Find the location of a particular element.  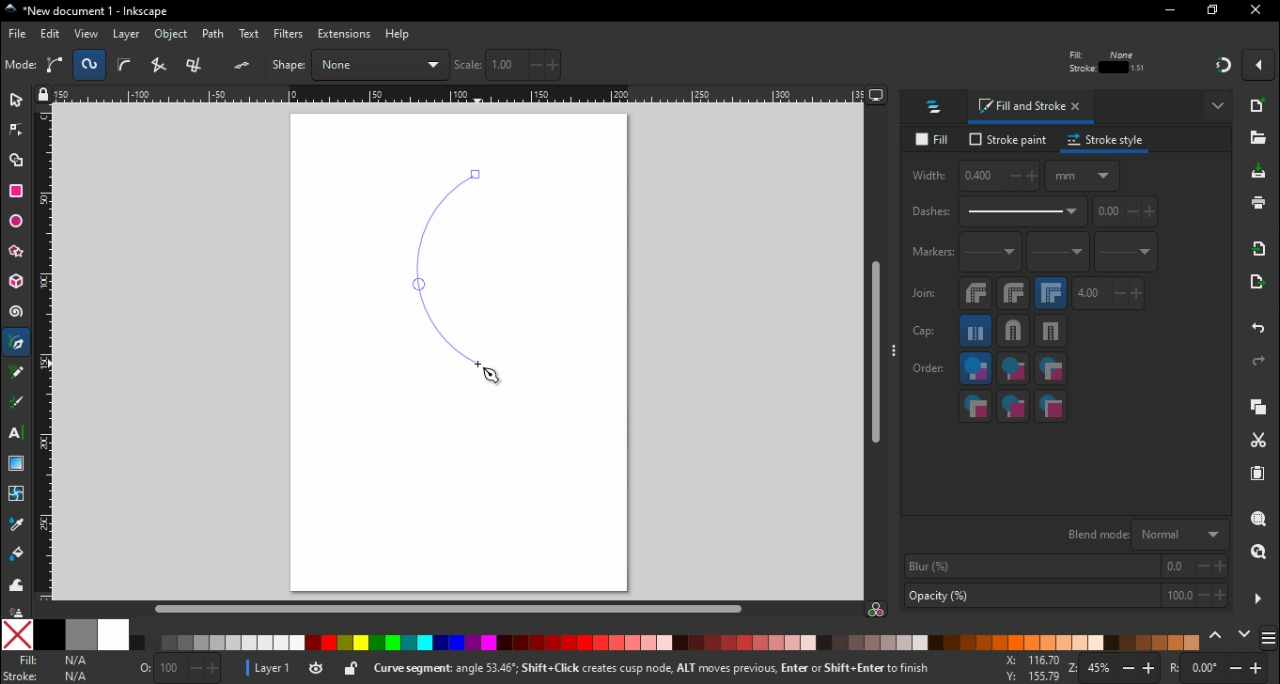

cursor coordinates is located at coordinates (1028, 668).